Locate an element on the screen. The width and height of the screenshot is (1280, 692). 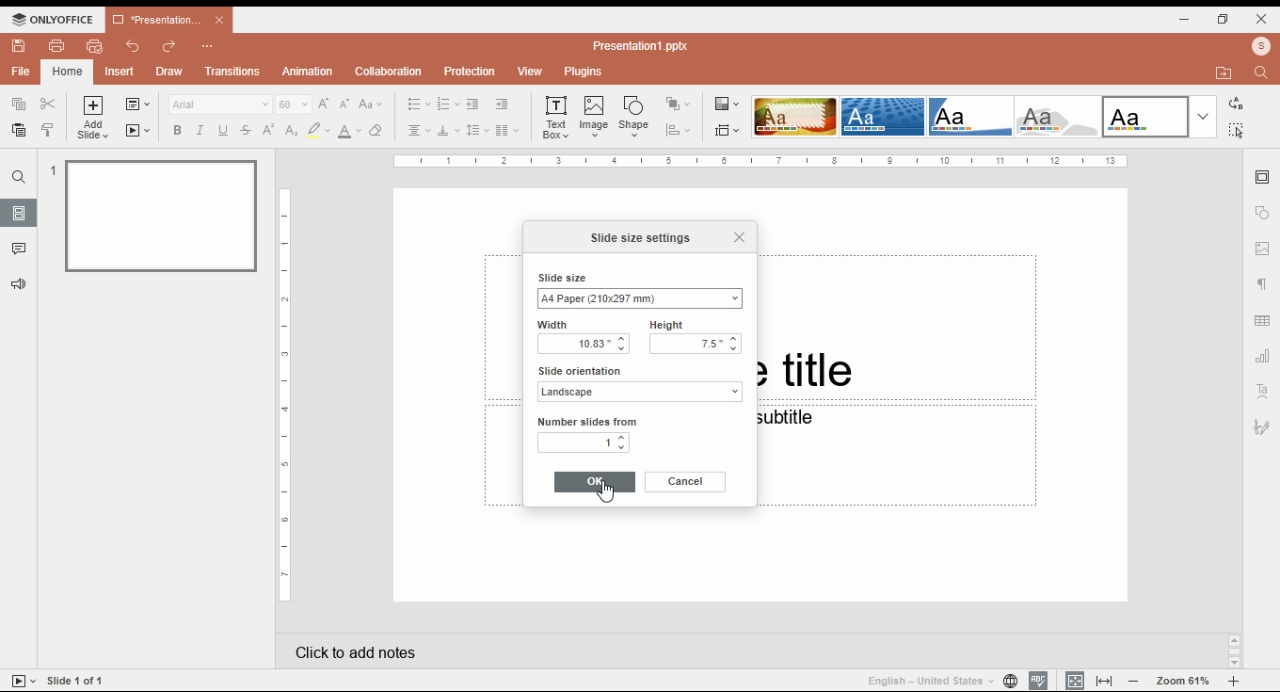
save is located at coordinates (18, 46).